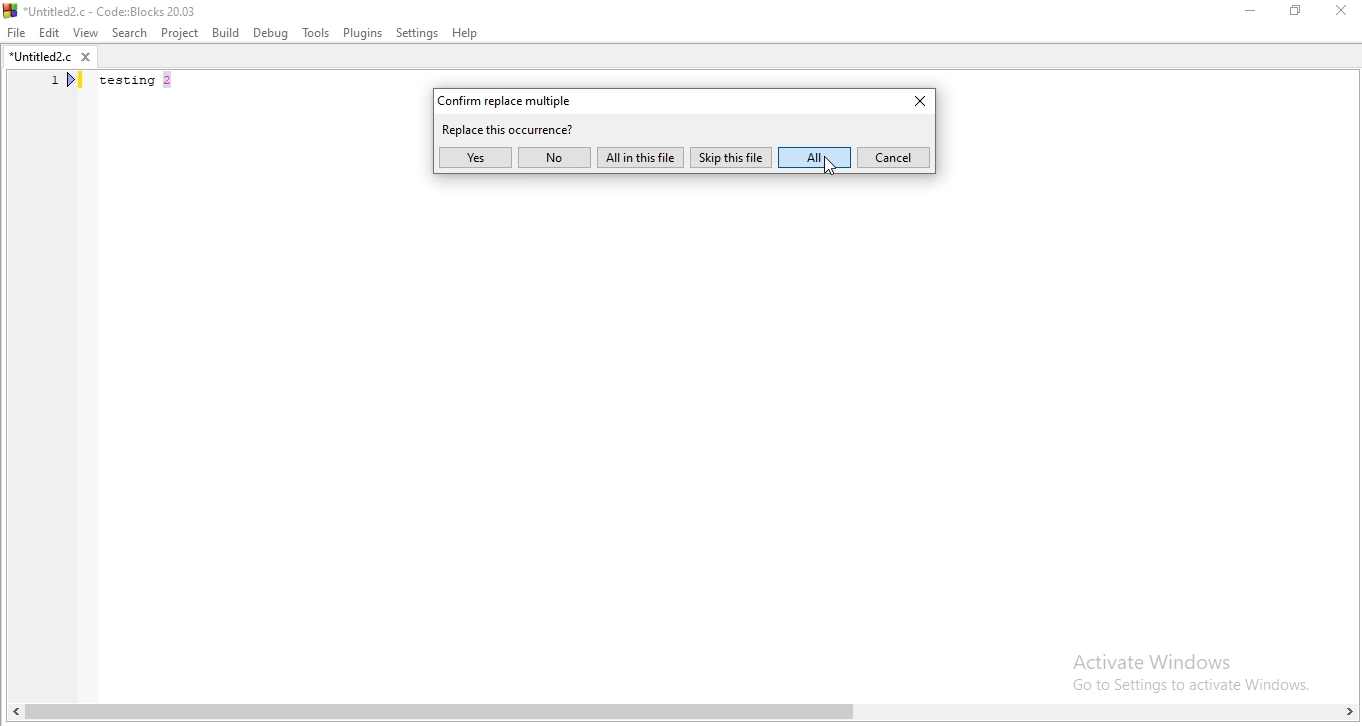  Describe the element at coordinates (140, 83) in the screenshot. I see `testing 2` at that location.